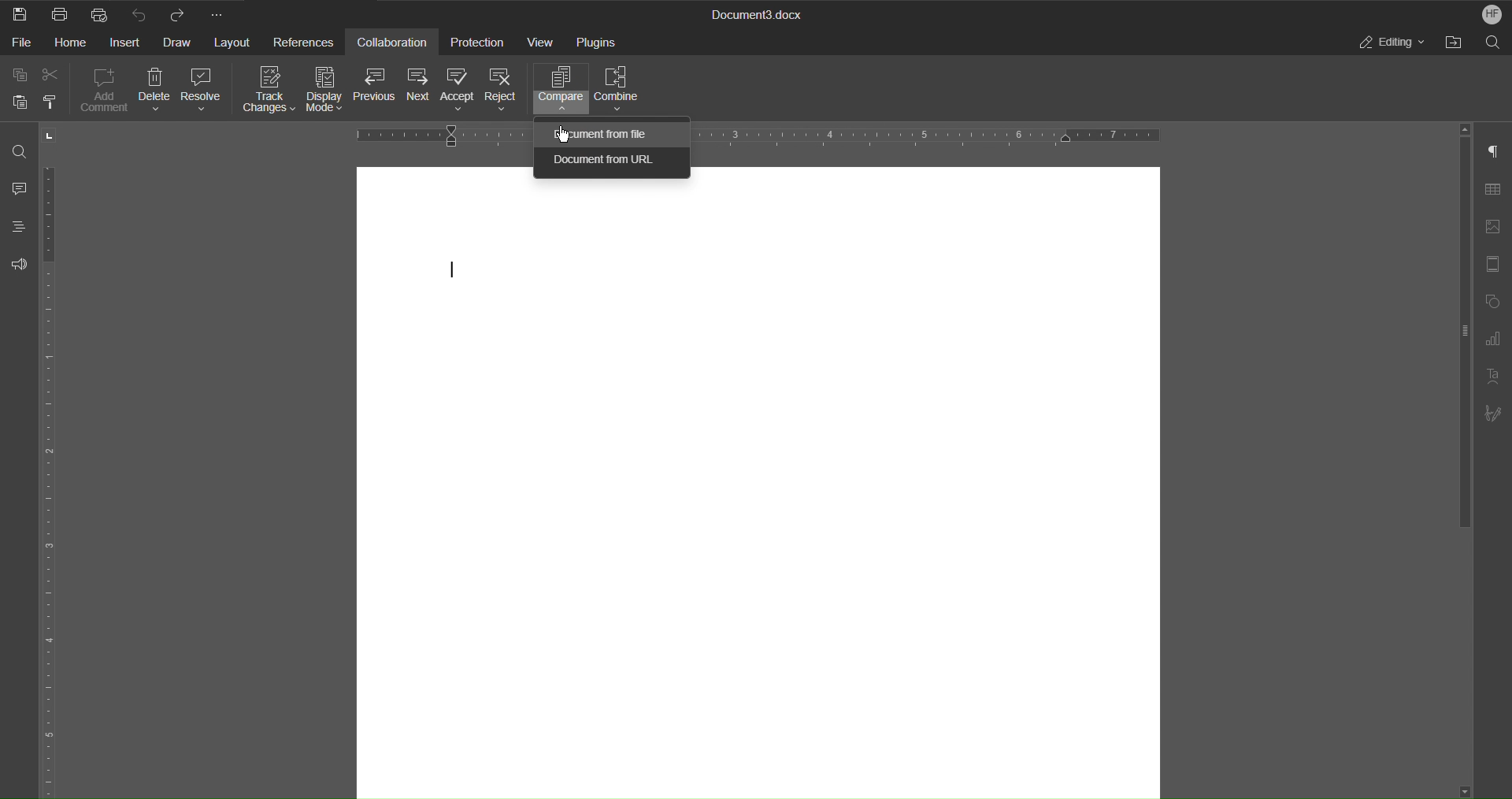 This screenshot has height=799, width=1512. Describe the element at coordinates (53, 136) in the screenshot. I see `Tab stop` at that location.